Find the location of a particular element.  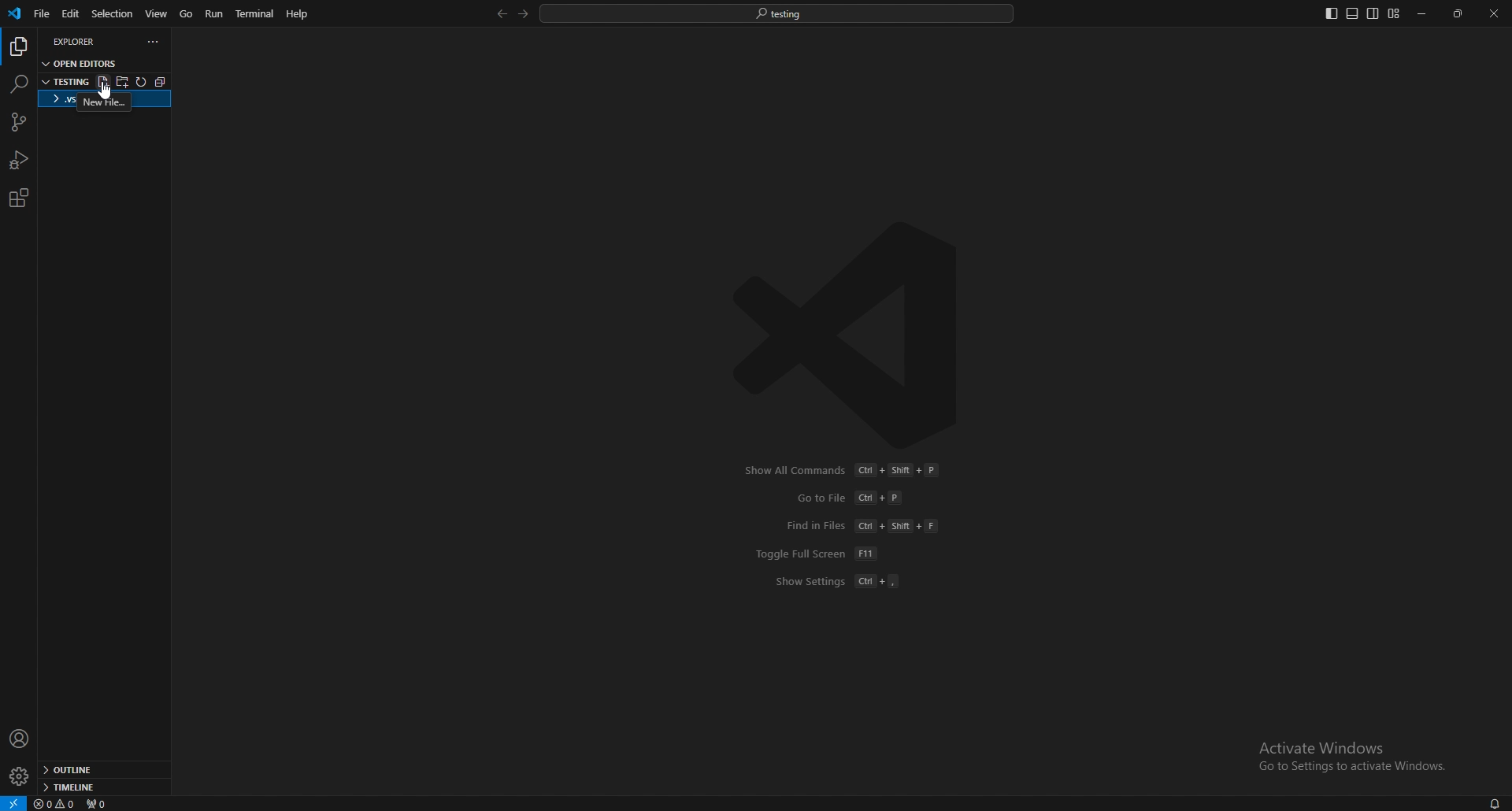

extension is located at coordinates (18, 198).